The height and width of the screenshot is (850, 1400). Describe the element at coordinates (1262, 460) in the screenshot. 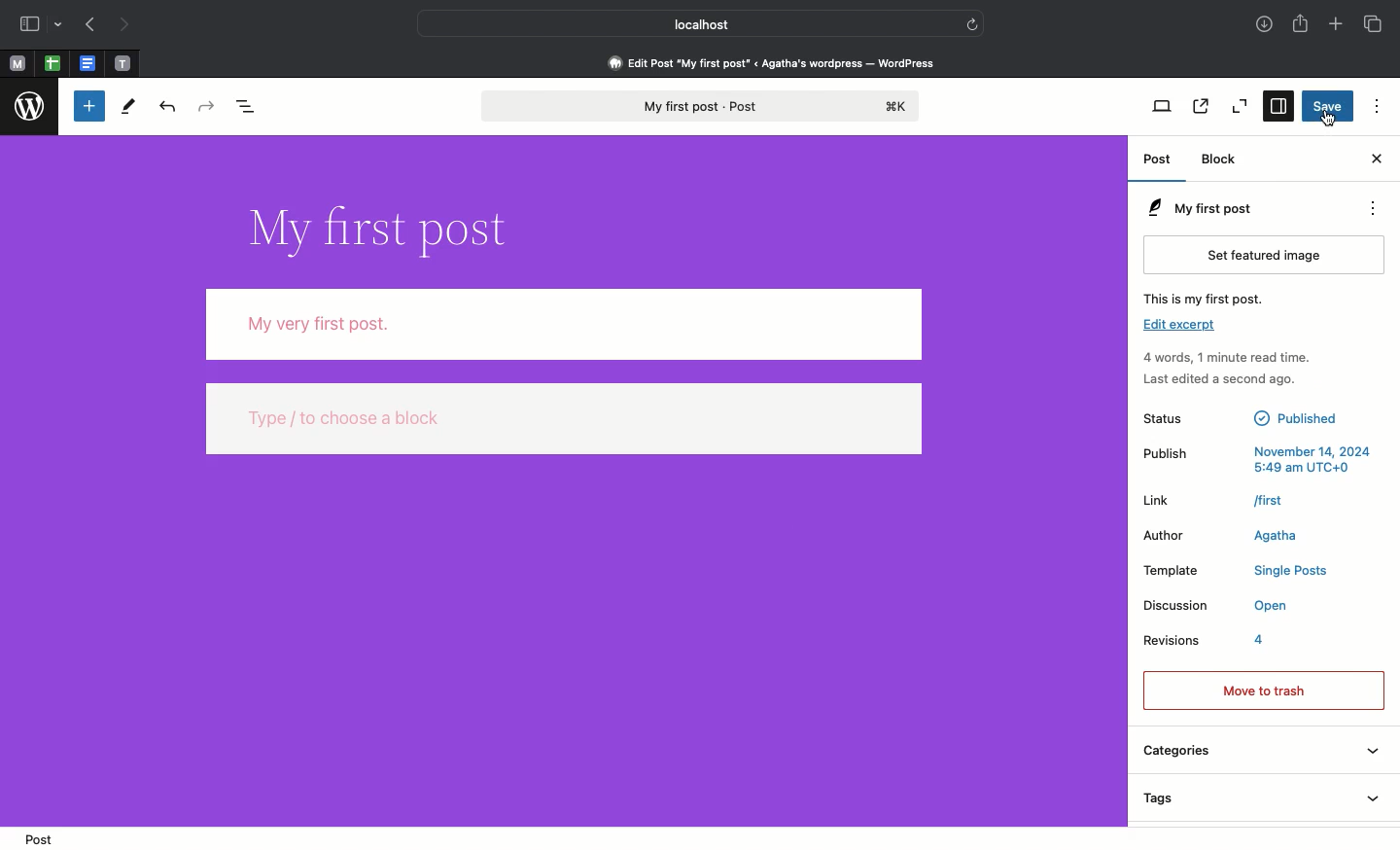

I see `Publish` at that location.